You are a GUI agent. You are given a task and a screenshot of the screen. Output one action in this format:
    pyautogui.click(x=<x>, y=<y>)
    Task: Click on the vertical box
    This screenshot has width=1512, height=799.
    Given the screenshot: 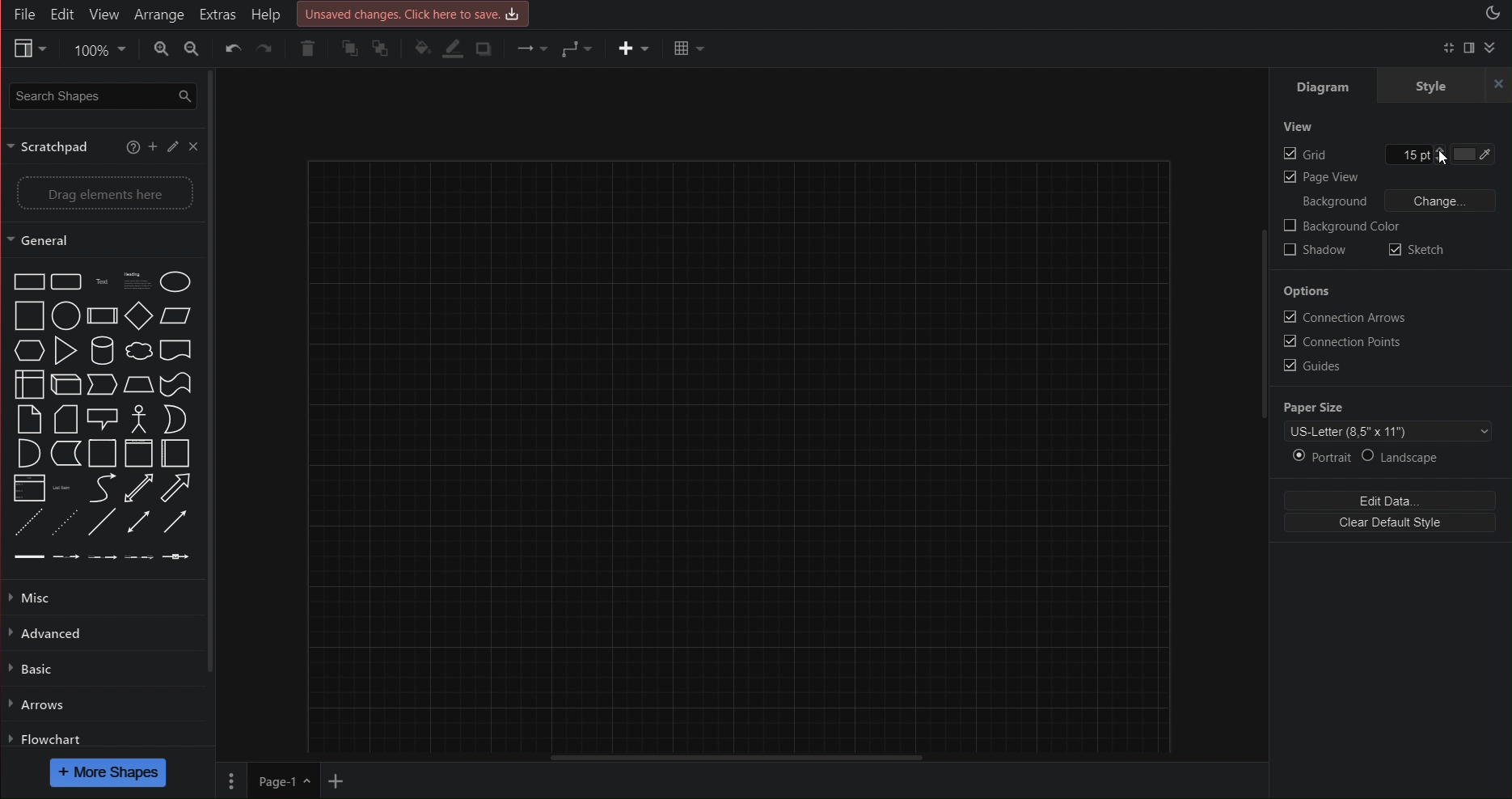 What is the action you would take?
    pyautogui.click(x=101, y=453)
    